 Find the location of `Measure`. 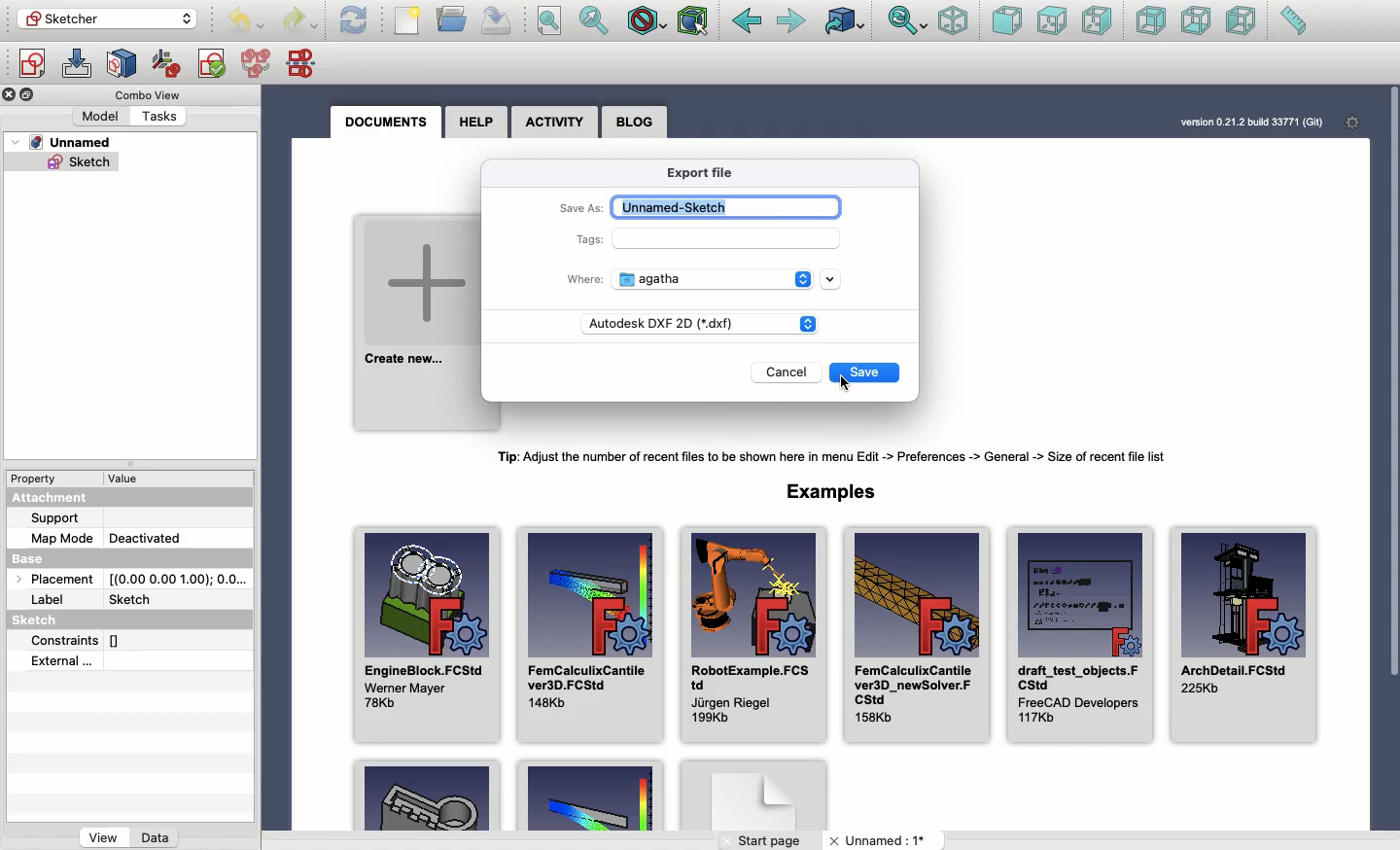

Measure is located at coordinates (1293, 22).